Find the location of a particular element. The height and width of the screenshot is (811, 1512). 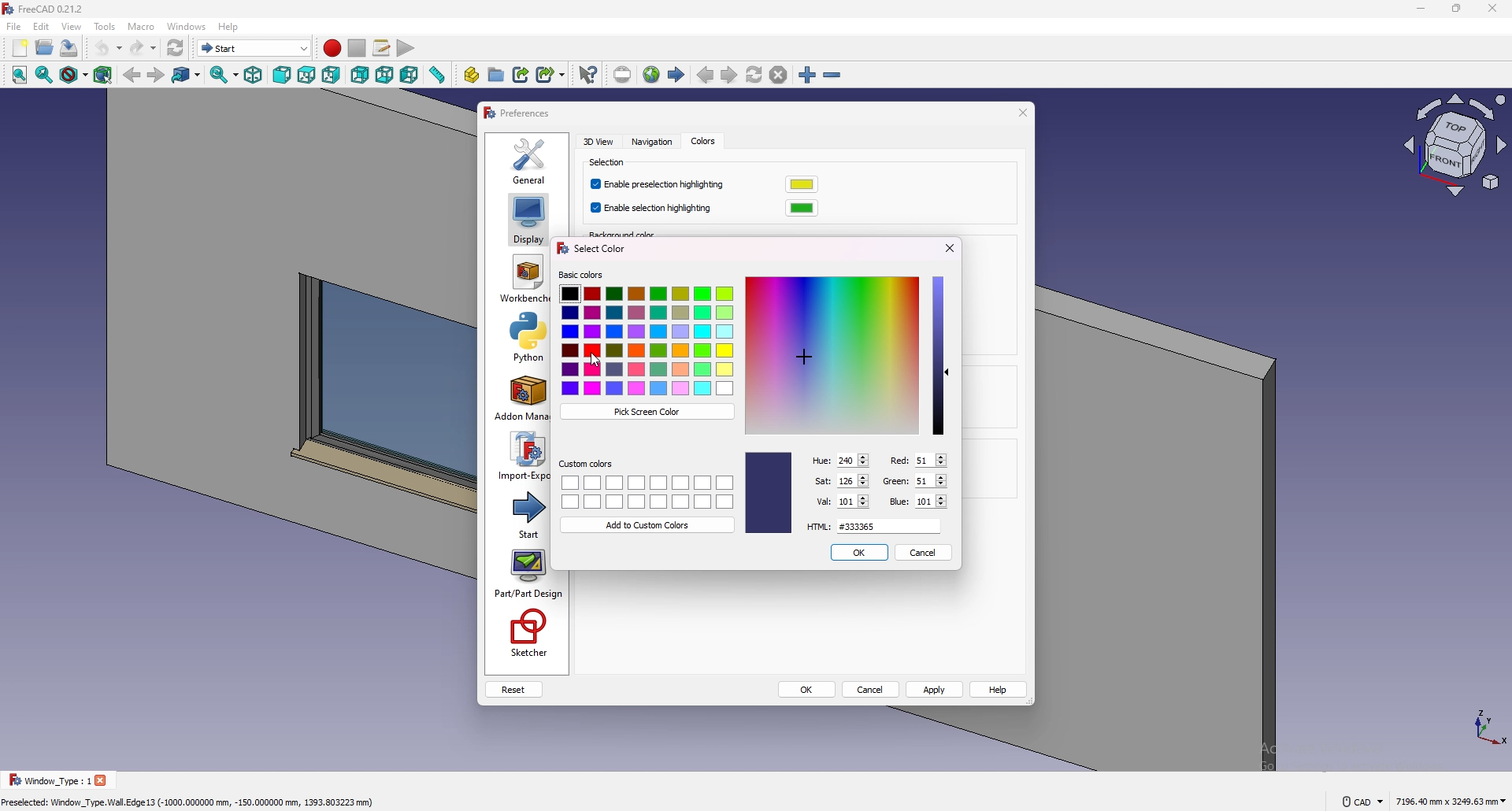

zoom out is located at coordinates (832, 76).